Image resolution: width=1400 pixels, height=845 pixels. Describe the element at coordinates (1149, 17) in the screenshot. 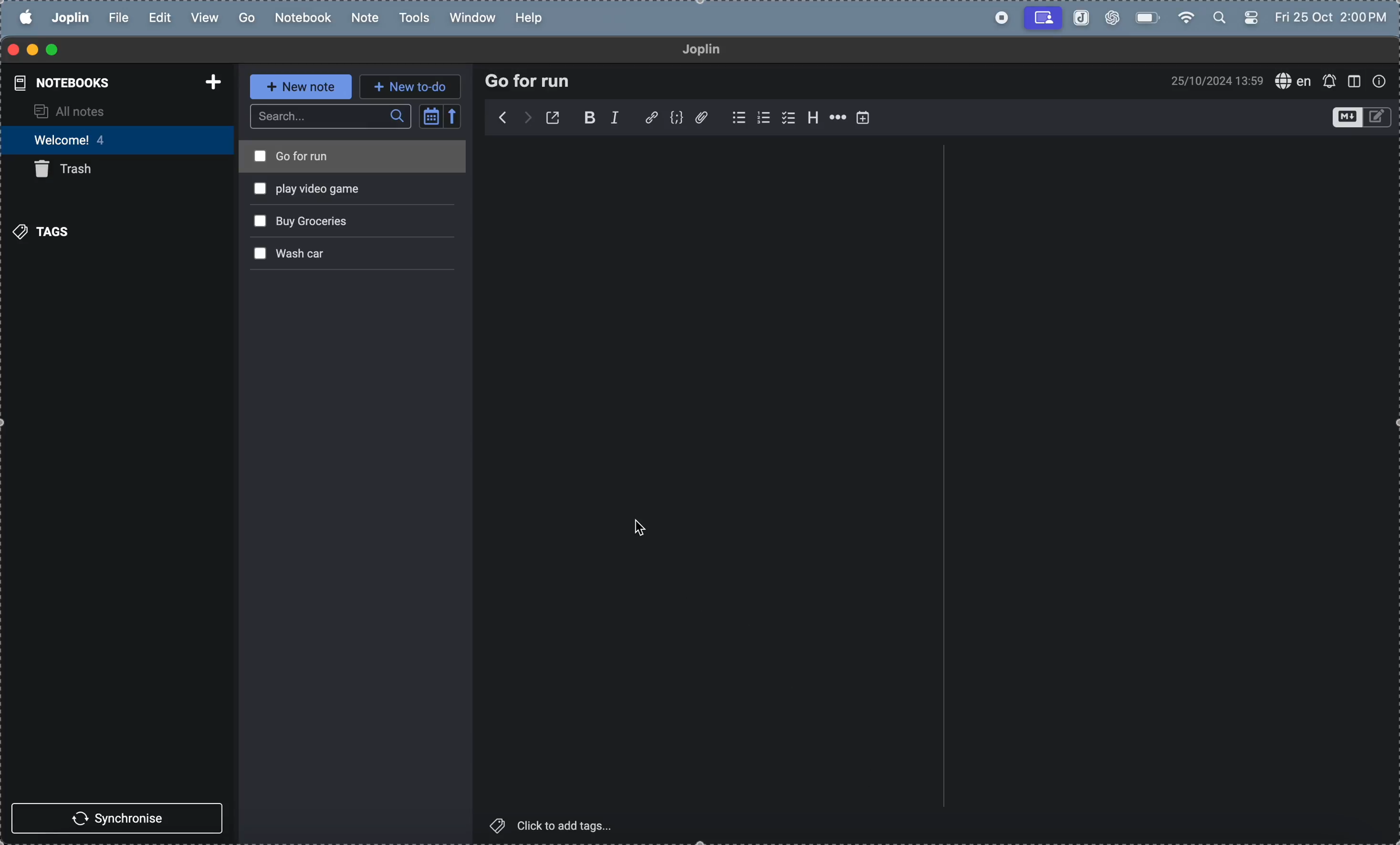

I see `battery` at that location.